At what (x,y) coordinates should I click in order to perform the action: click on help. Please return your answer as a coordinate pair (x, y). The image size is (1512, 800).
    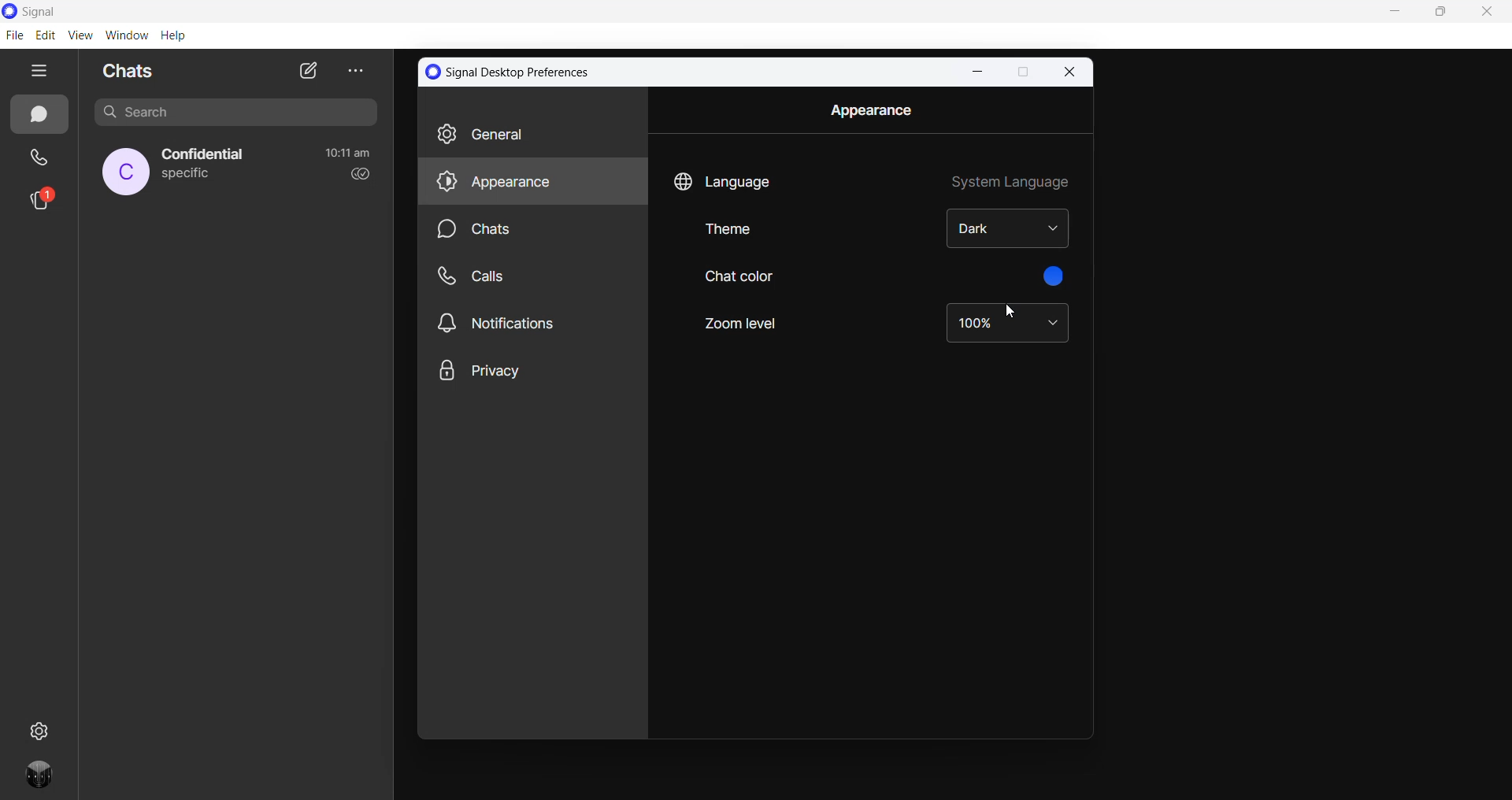
    Looking at the image, I should click on (172, 36).